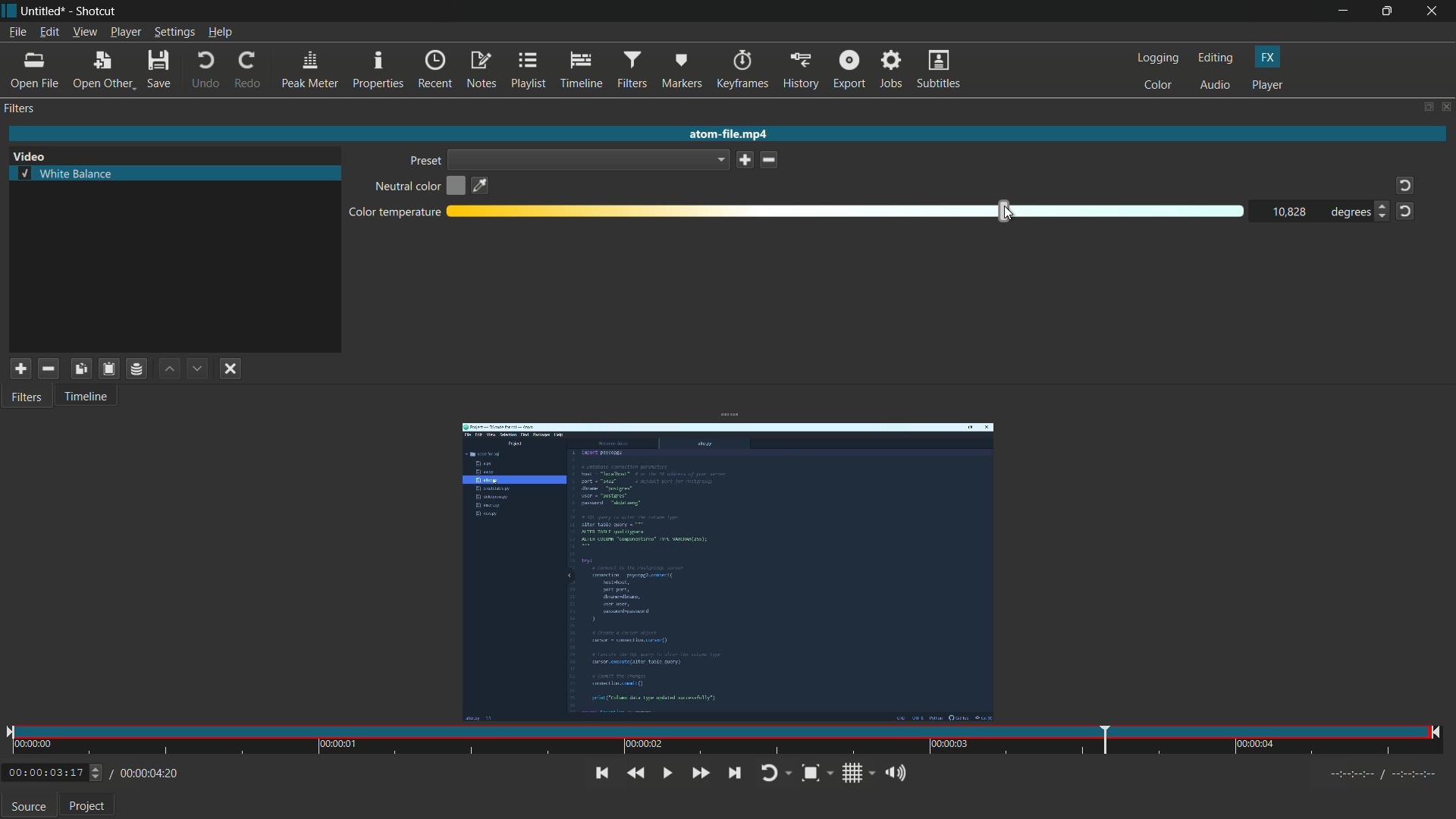 Image resolution: width=1456 pixels, height=819 pixels. Describe the element at coordinates (66, 173) in the screenshot. I see `white balance filter selected` at that location.